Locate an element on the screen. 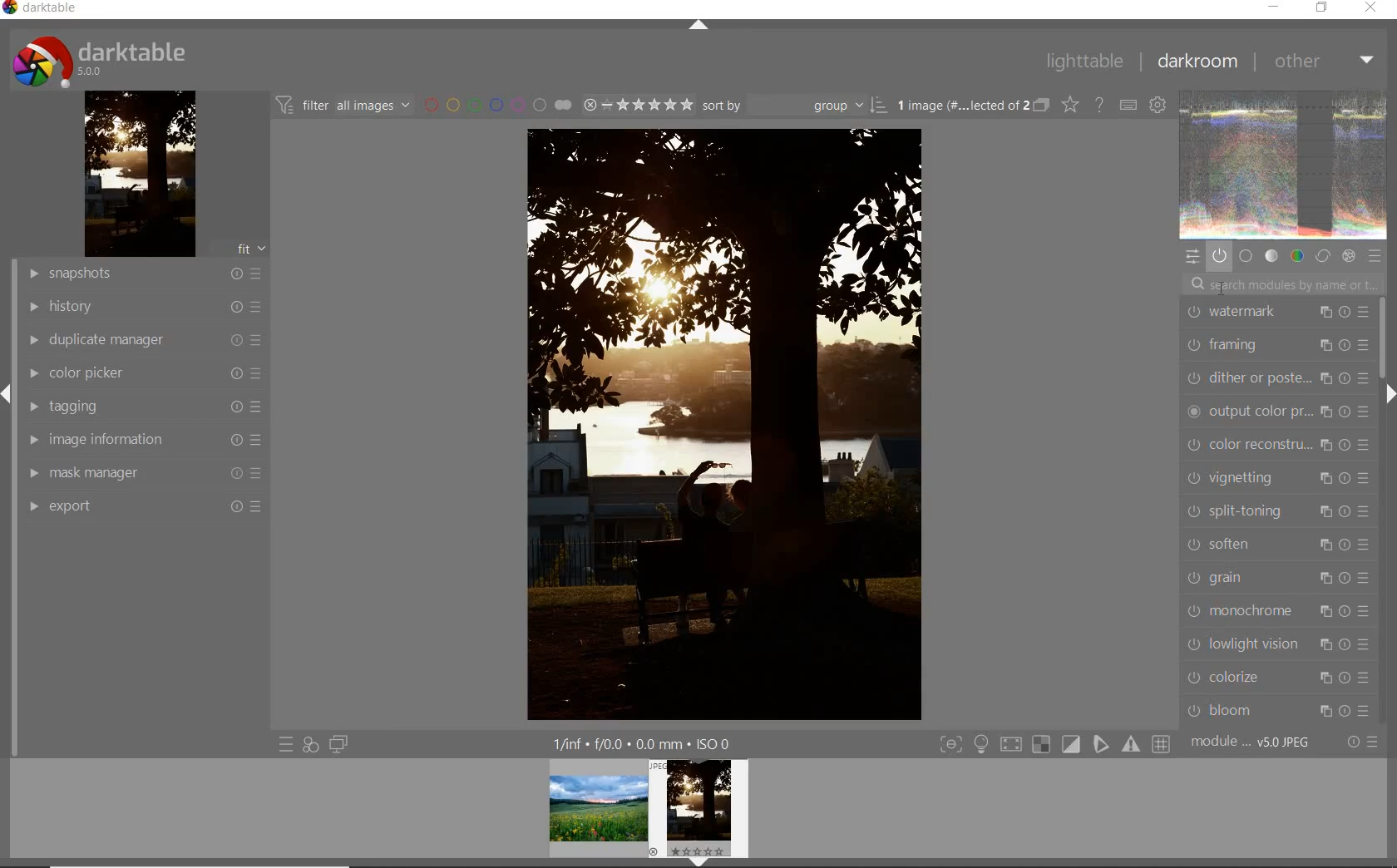 The width and height of the screenshot is (1397, 868). history is located at coordinates (140, 307).